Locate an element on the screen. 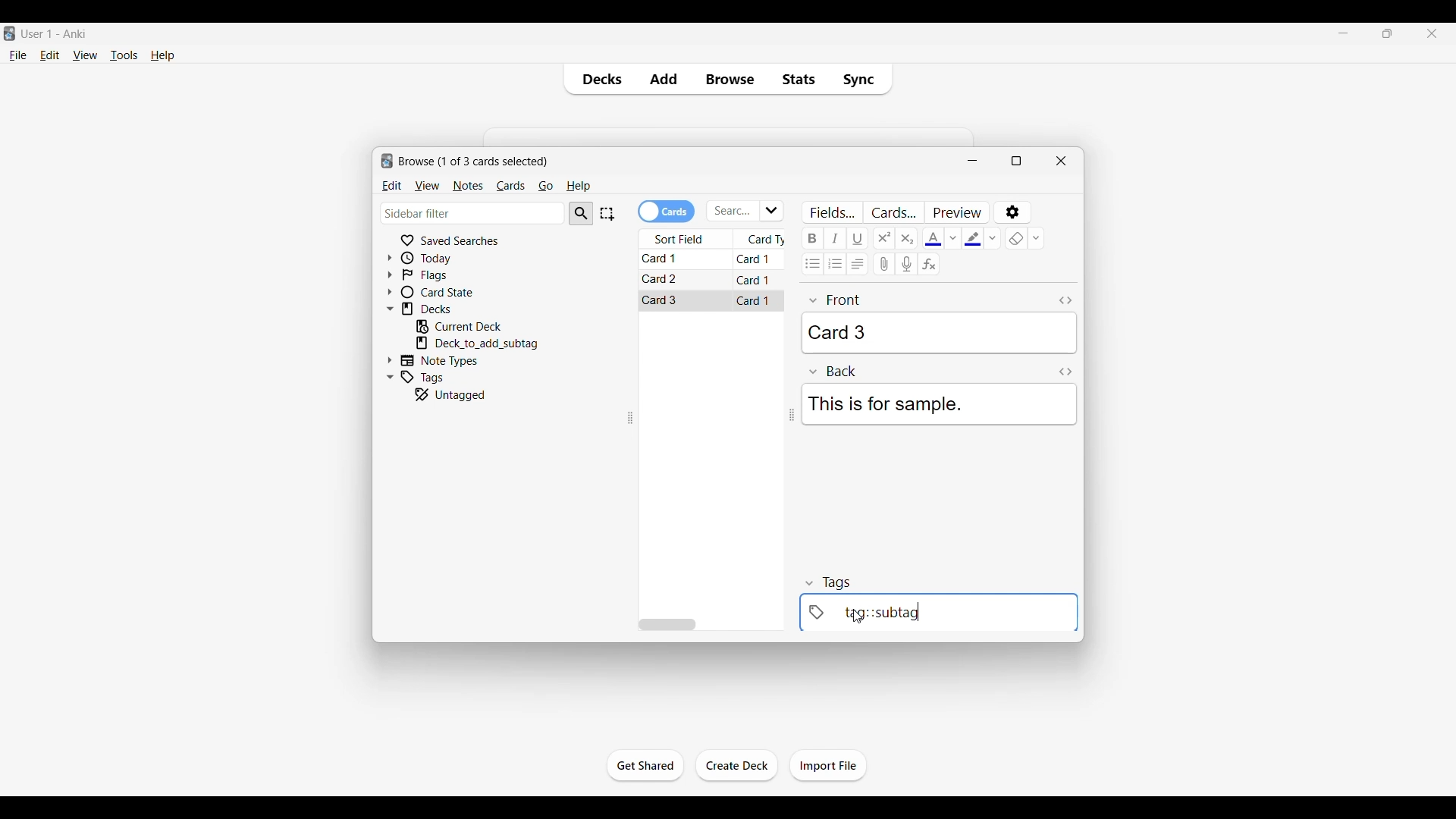 The image size is (1456, 819). Click to go to mentioned deck is located at coordinates (476, 344).